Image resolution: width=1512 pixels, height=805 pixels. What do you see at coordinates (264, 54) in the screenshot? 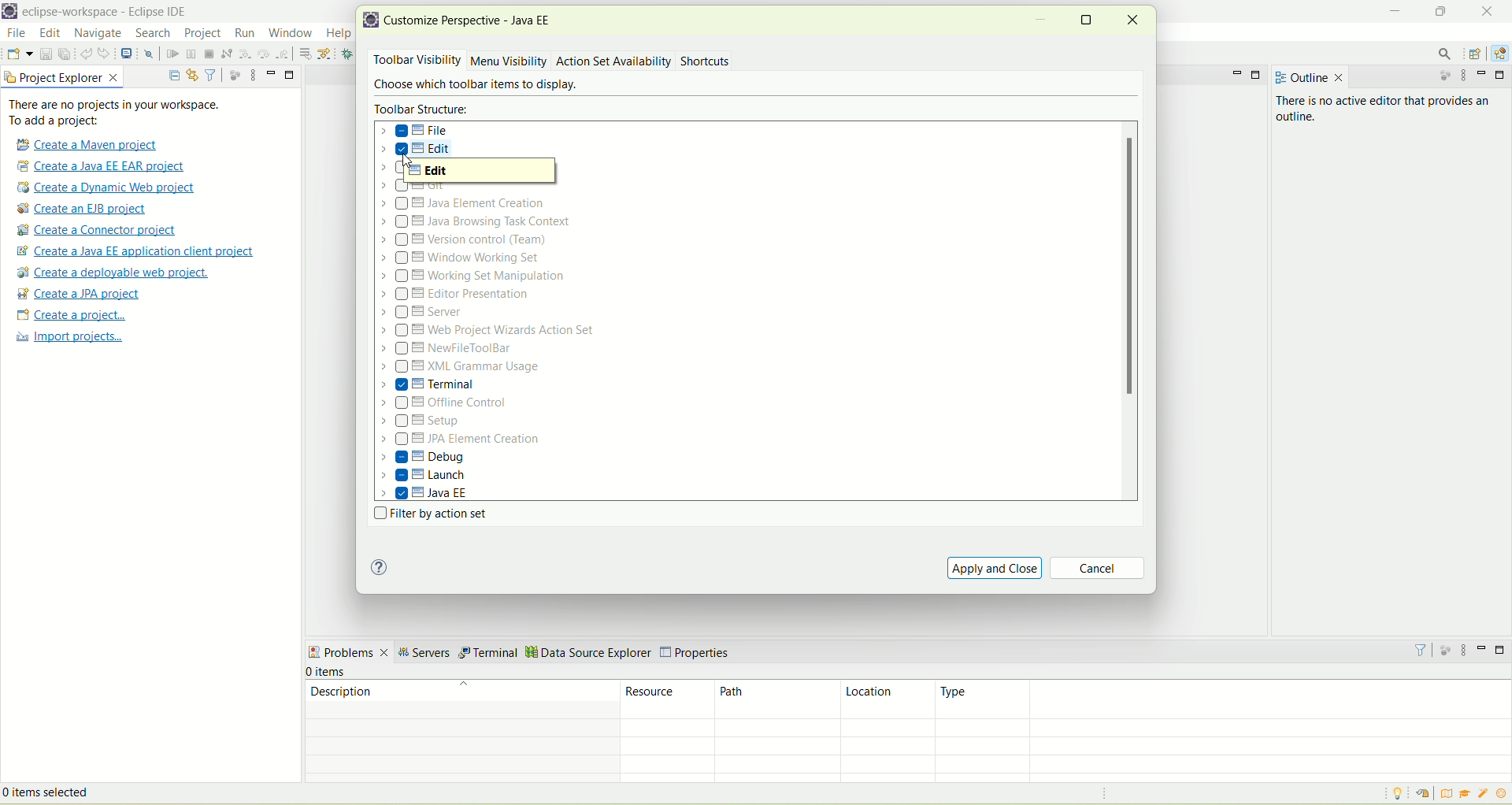
I see `step over` at bounding box center [264, 54].